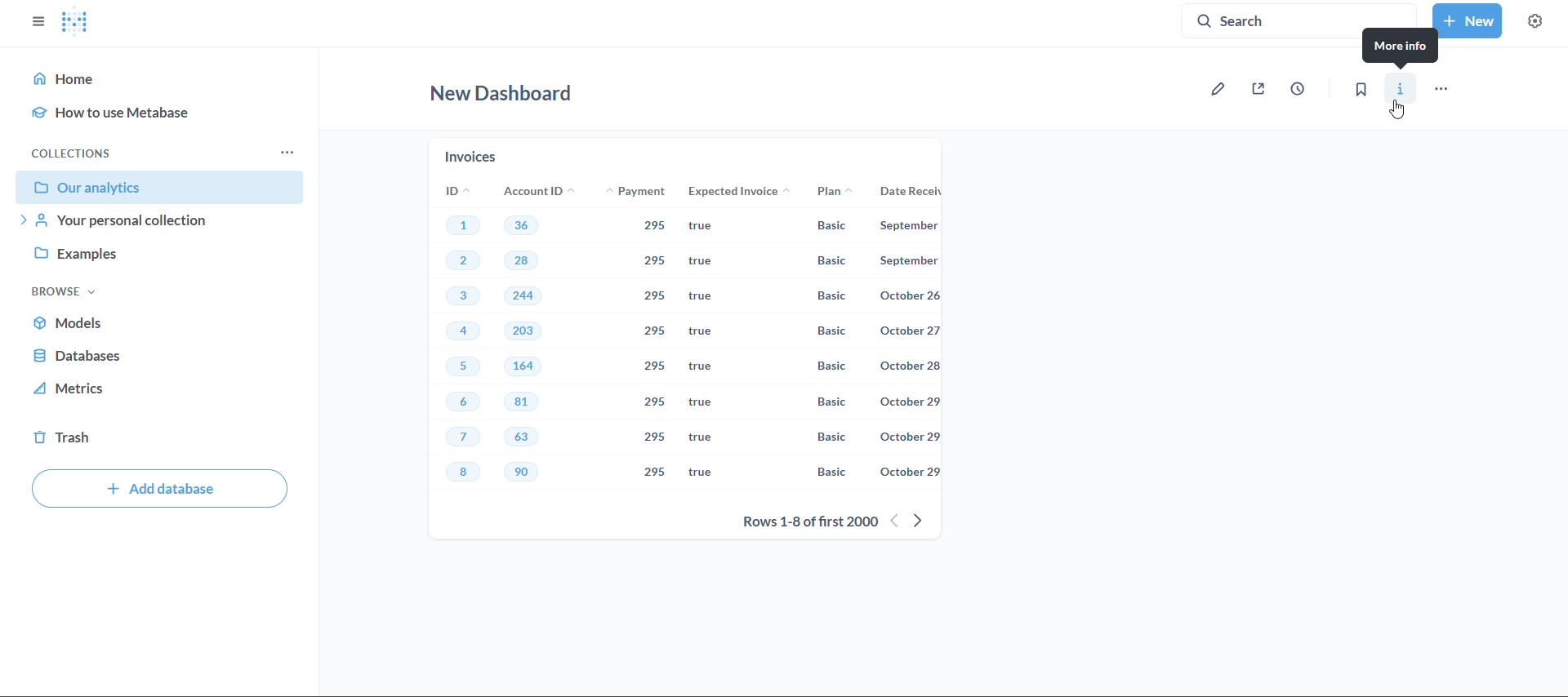 Image resolution: width=1568 pixels, height=697 pixels. Describe the element at coordinates (827, 472) in the screenshot. I see `Basic` at that location.